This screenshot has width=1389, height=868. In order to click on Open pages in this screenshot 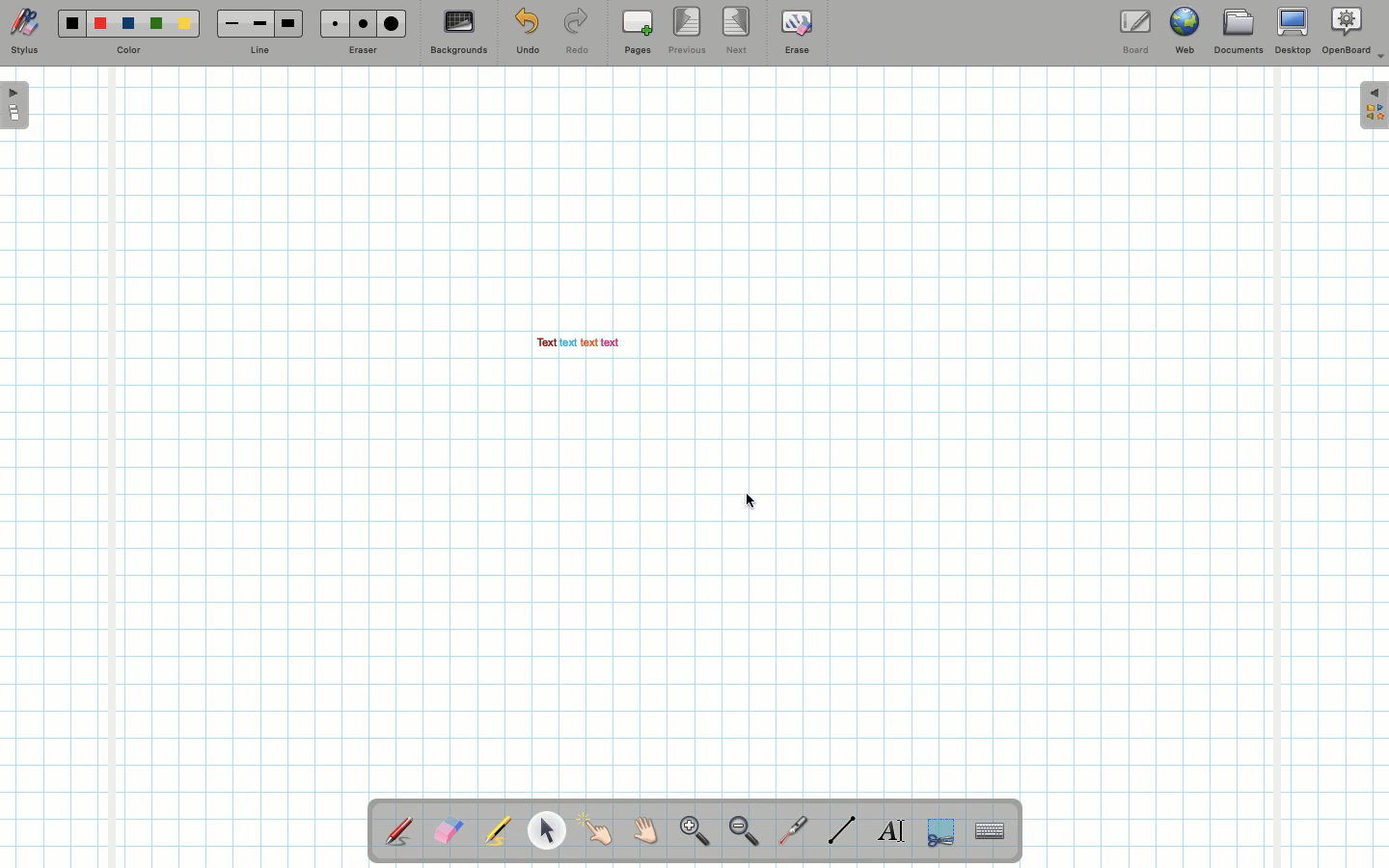, I will do `click(16, 104)`.